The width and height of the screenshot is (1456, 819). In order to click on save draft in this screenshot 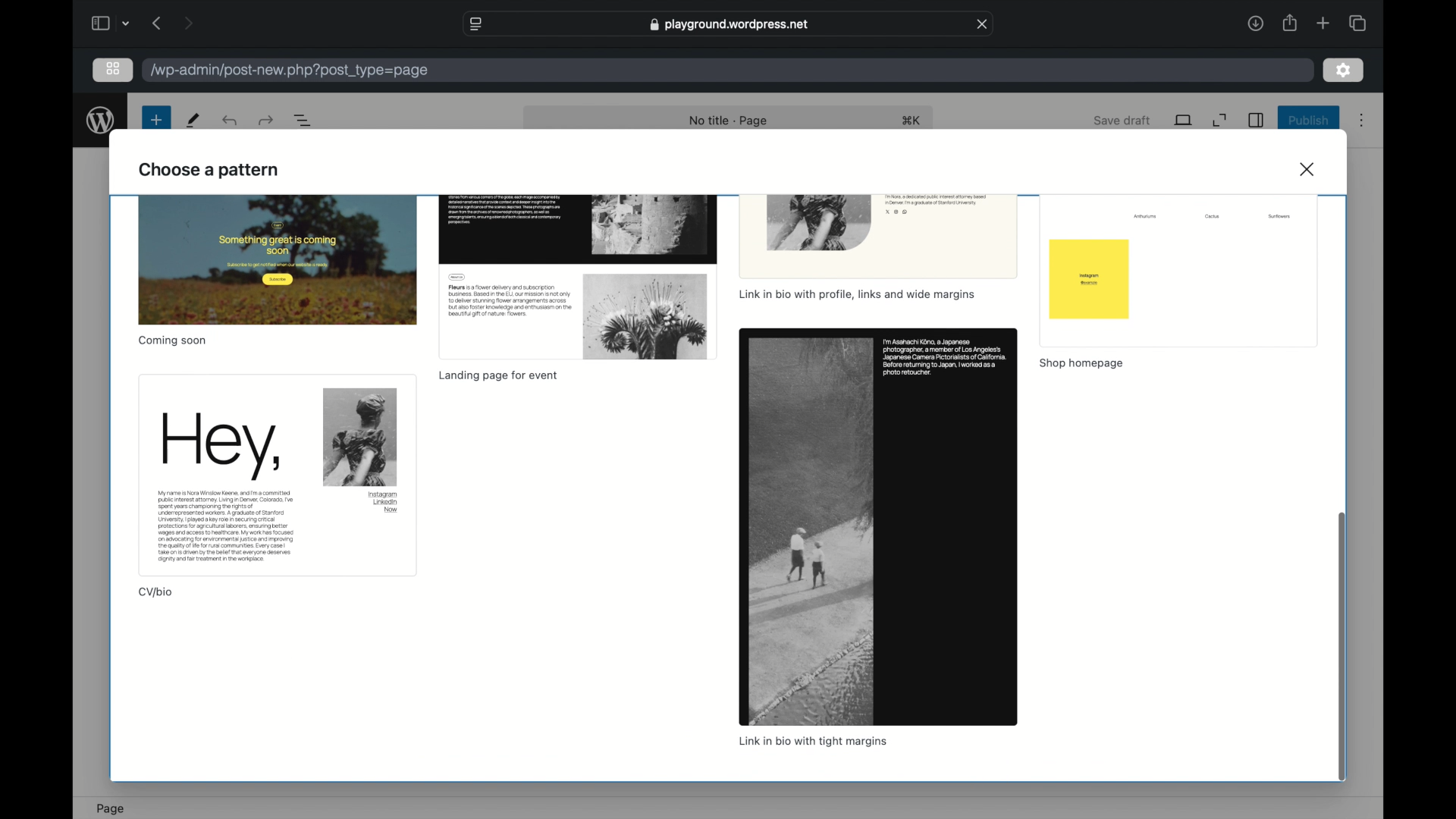, I will do `click(1122, 120)`.